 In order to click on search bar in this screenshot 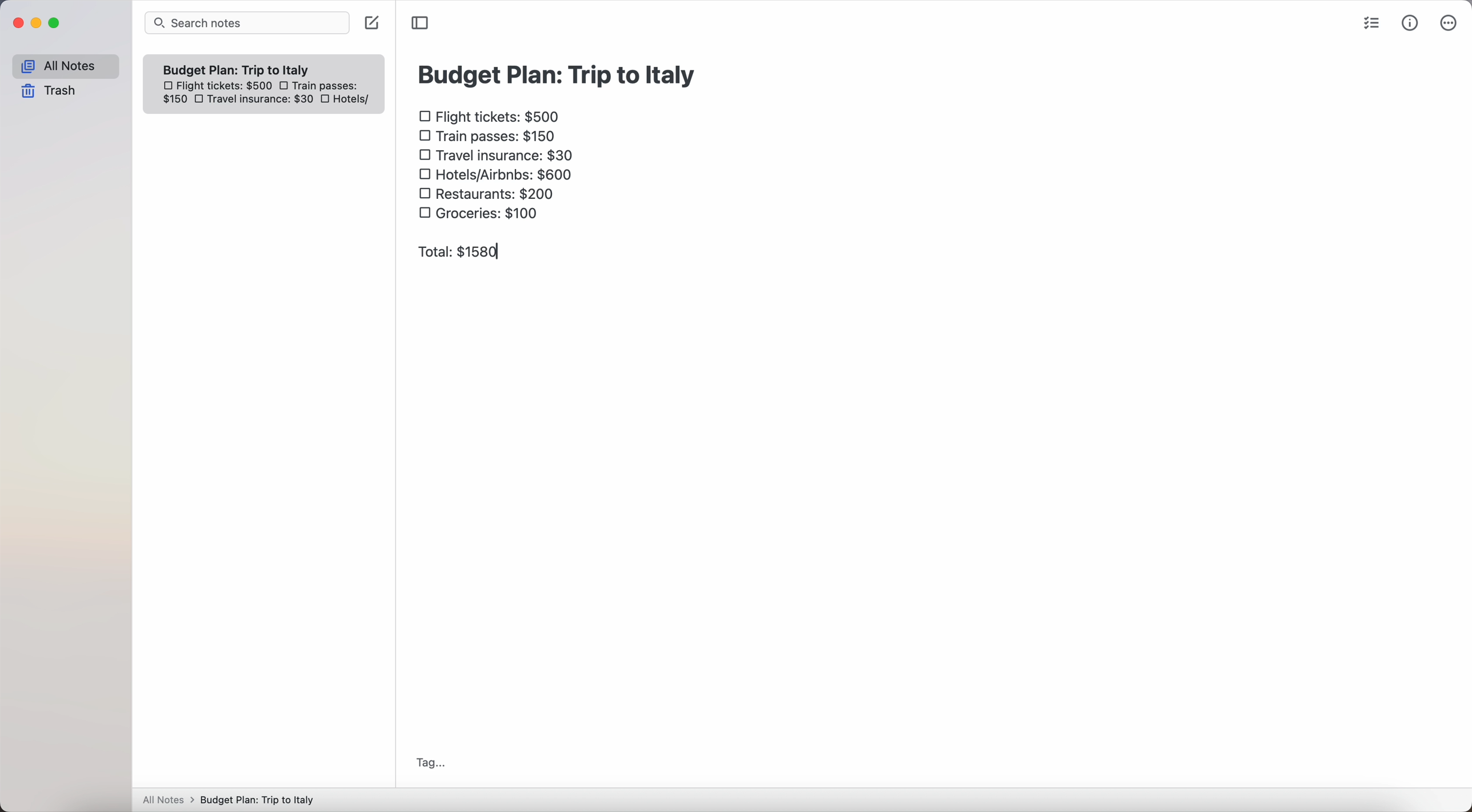, I will do `click(247, 23)`.